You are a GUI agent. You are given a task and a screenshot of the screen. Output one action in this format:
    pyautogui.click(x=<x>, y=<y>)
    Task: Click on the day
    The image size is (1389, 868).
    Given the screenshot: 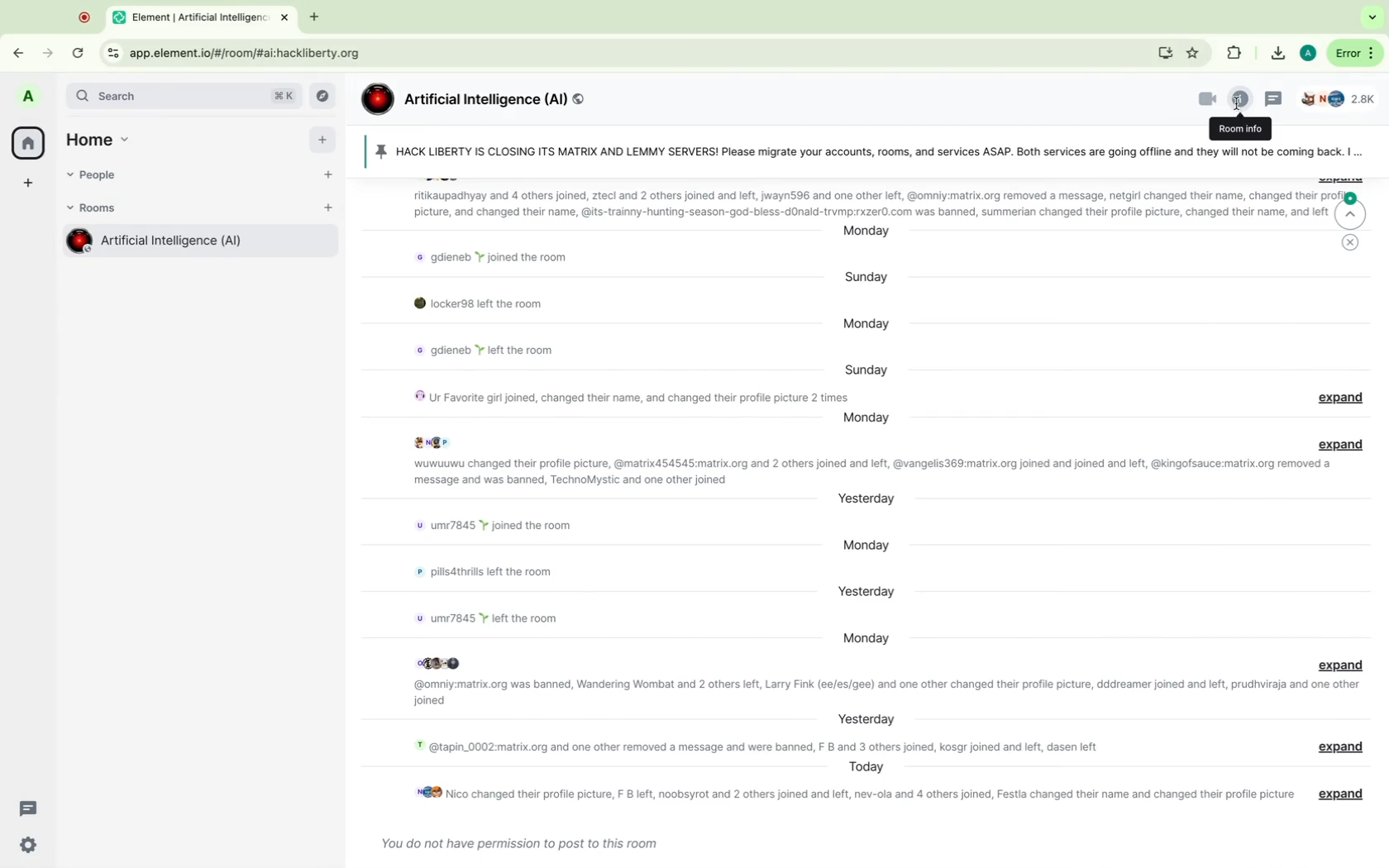 What is the action you would take?
    pyautogui.click(x=862, y=364)
    